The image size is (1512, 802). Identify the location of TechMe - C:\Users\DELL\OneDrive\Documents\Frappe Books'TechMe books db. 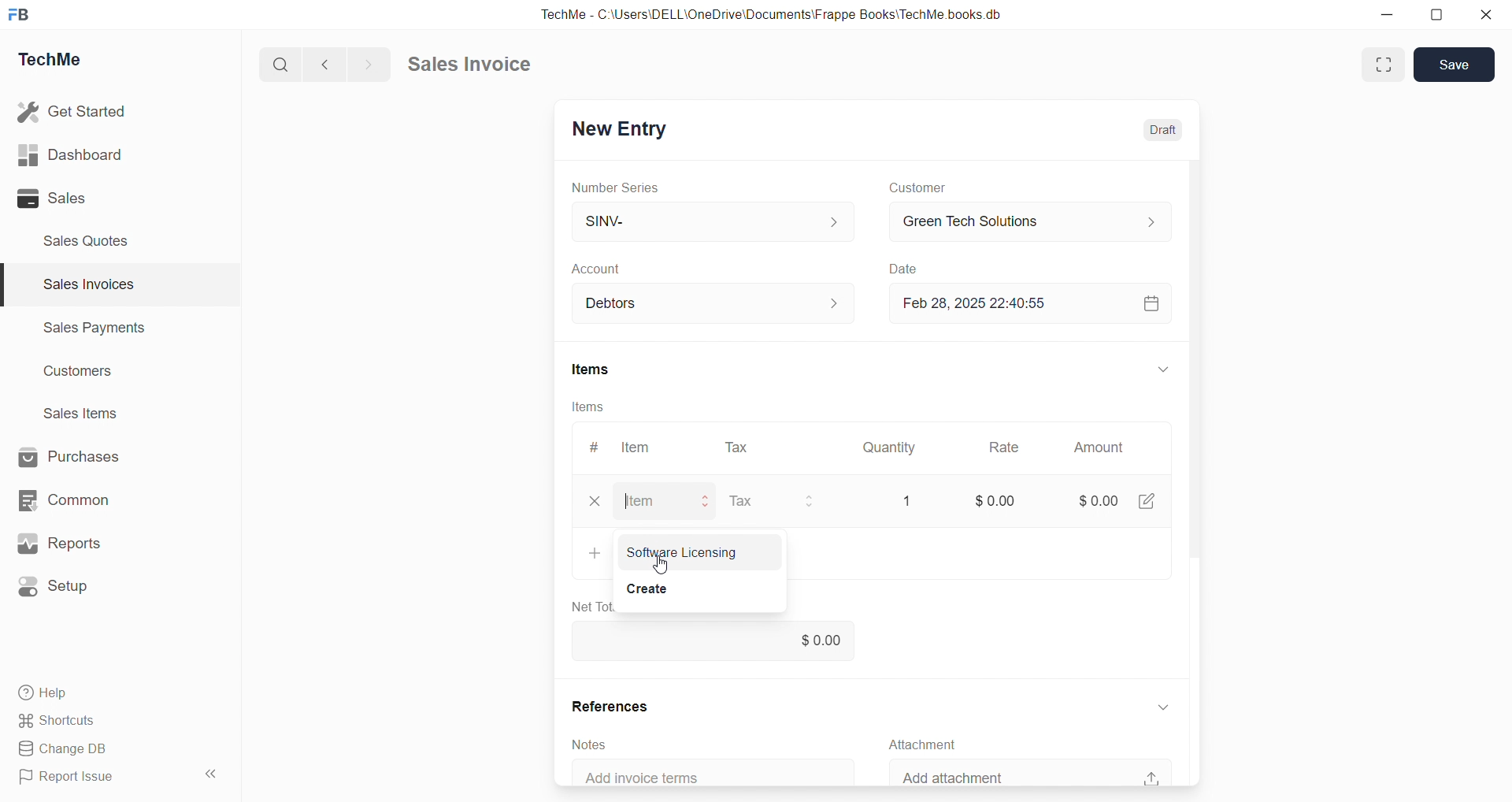
(775, 14).